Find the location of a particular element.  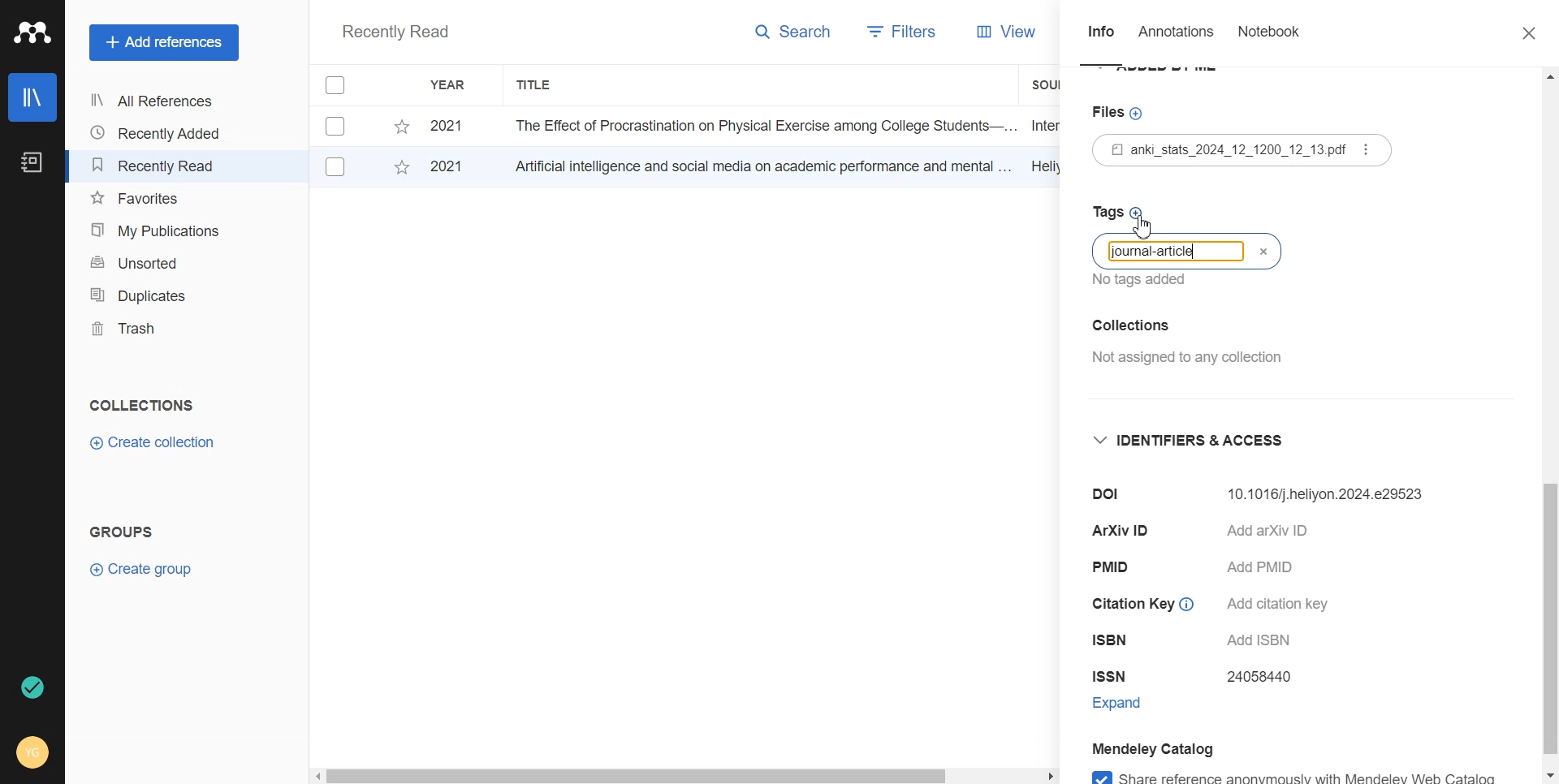

Close  is located at coordinates (1521, 34).